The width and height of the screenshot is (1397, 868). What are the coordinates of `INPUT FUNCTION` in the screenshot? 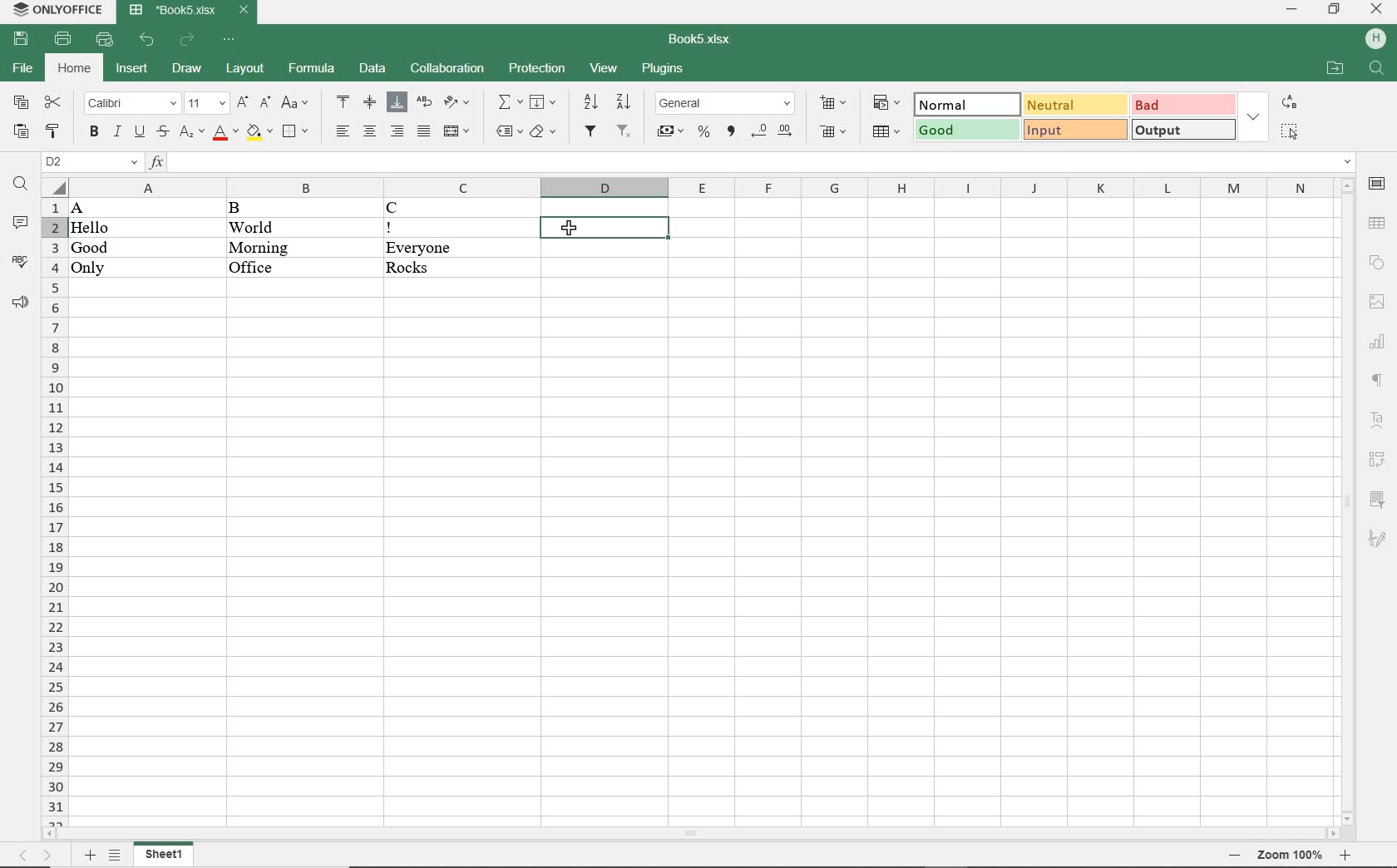 It's located at (752, 162).